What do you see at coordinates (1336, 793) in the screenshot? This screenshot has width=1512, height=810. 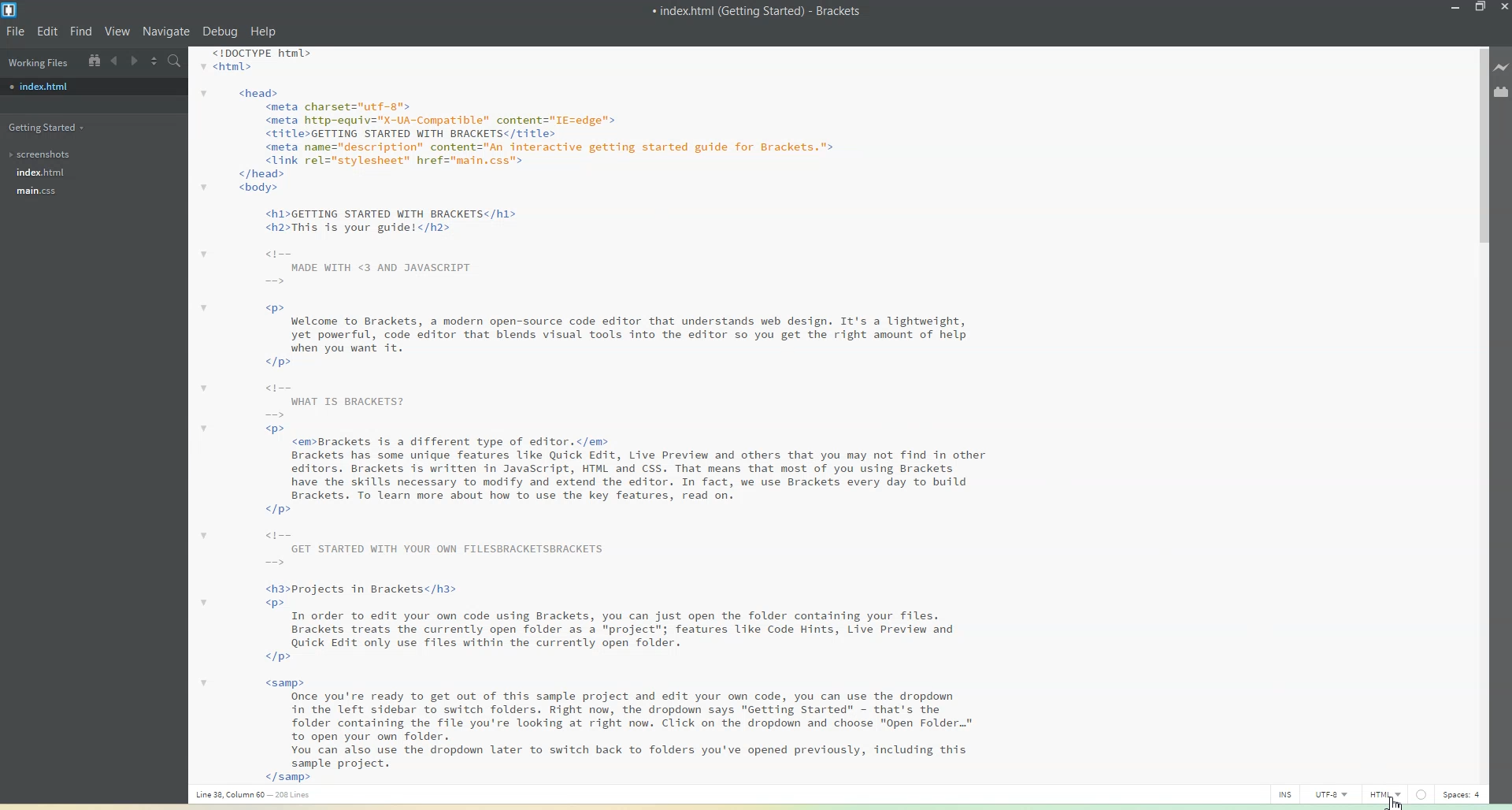 I see `UTF-8` at bounding box center [1336, 793].